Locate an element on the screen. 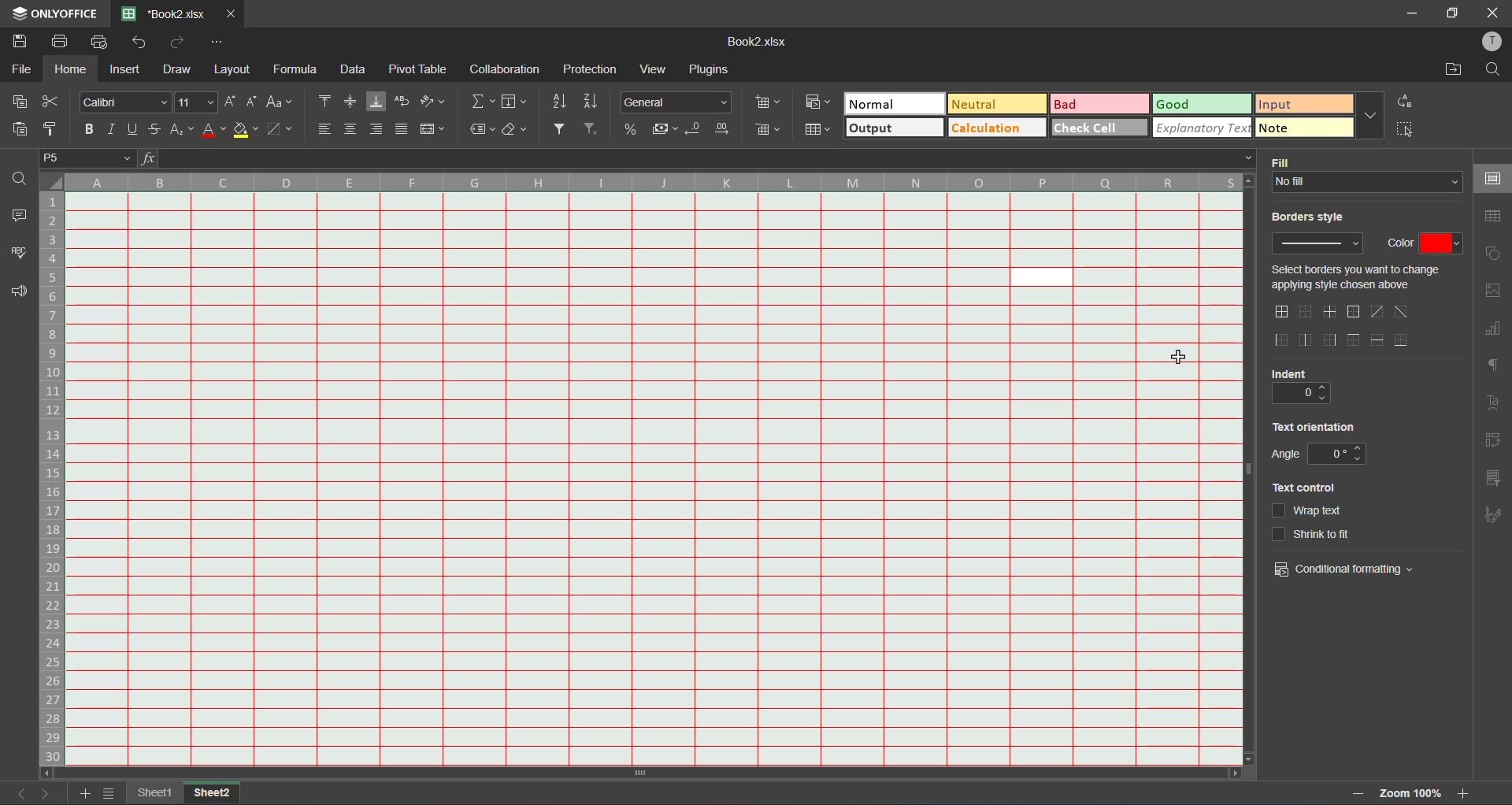 The height and width of the screenshot is (805, 1512). formula is located at coordinates (298, 72).